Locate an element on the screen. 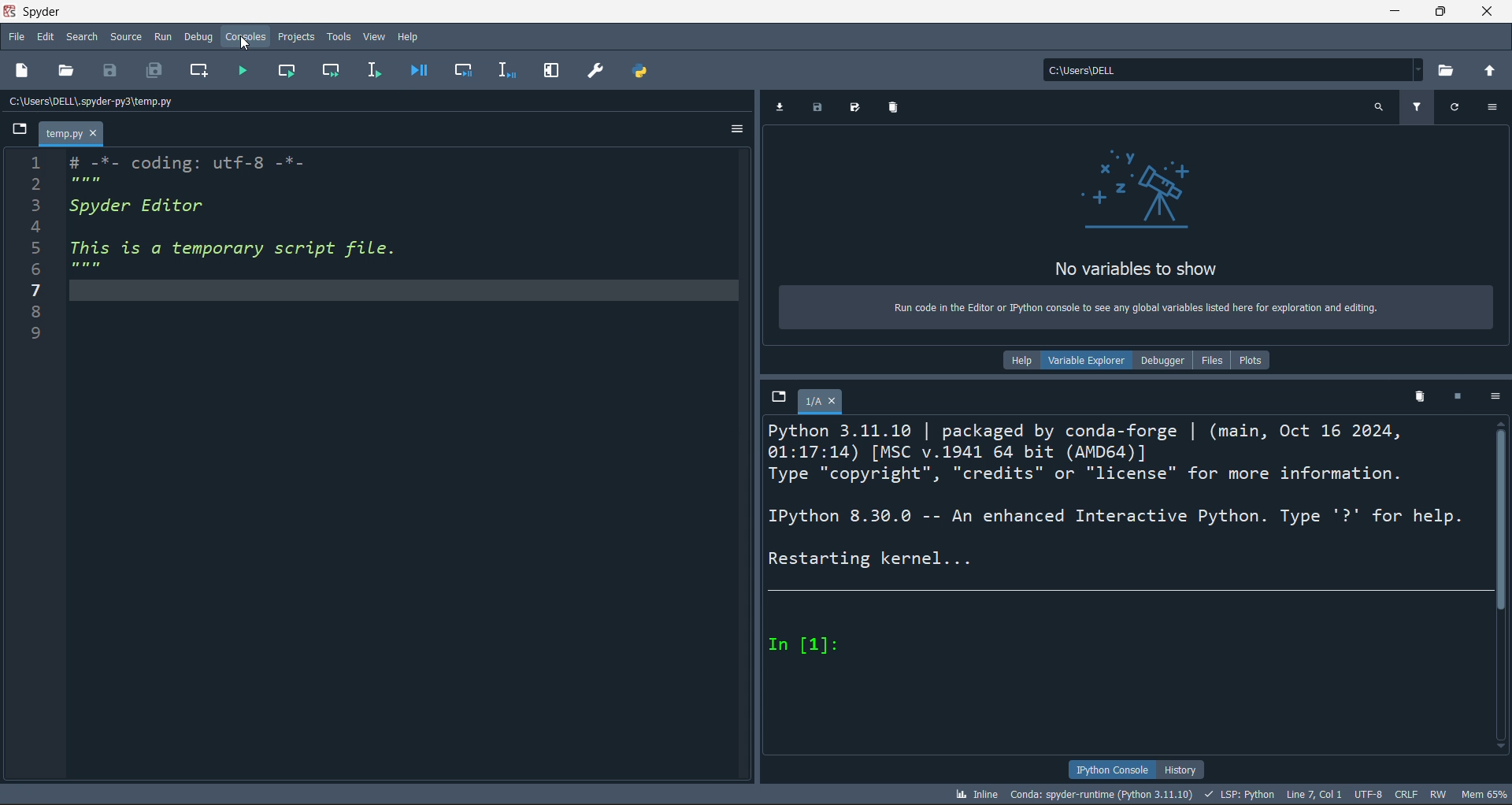  debug file is located at coordinates (415, 72).